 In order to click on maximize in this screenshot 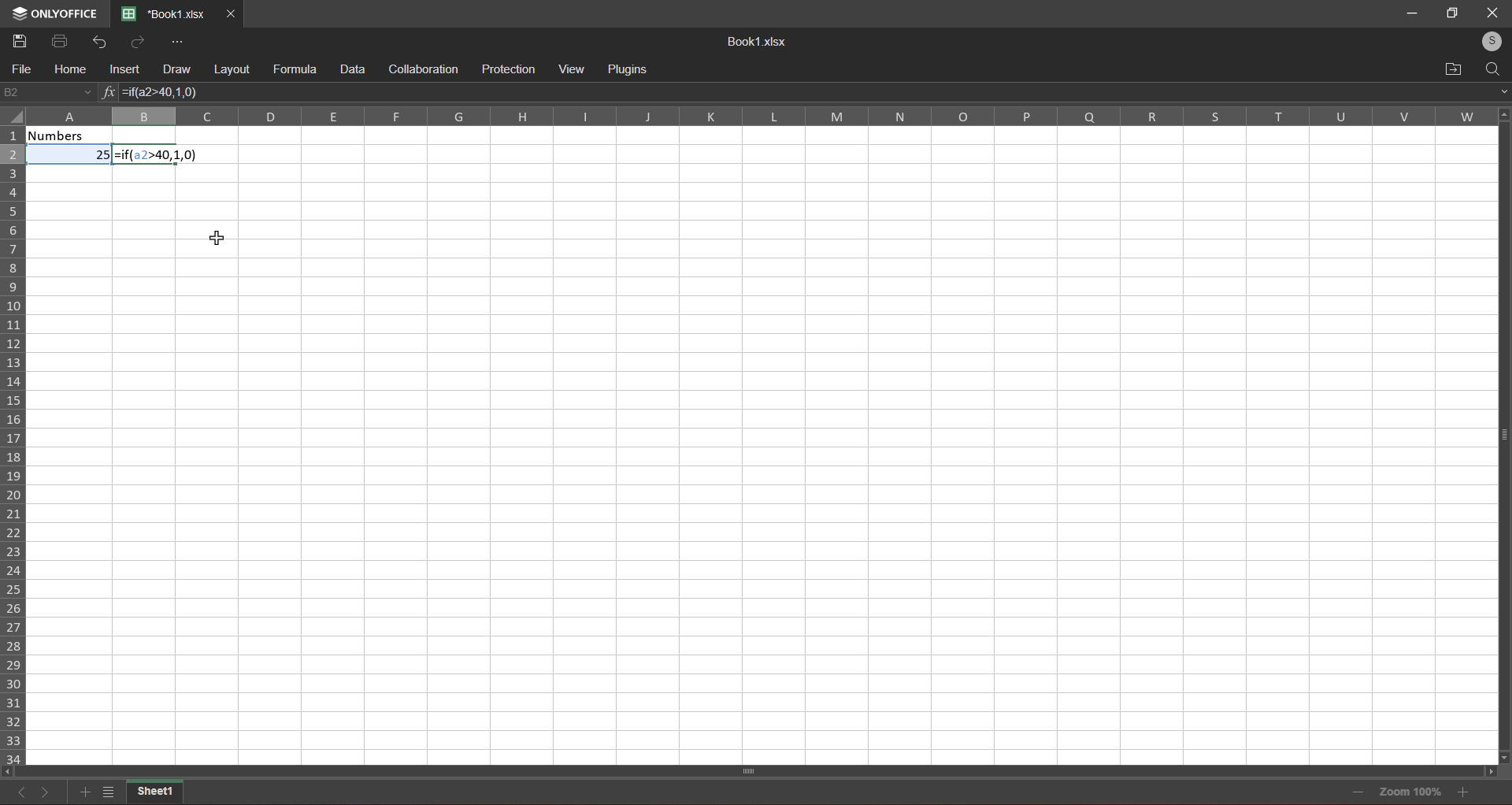, I will do `click(1451, 13)`.